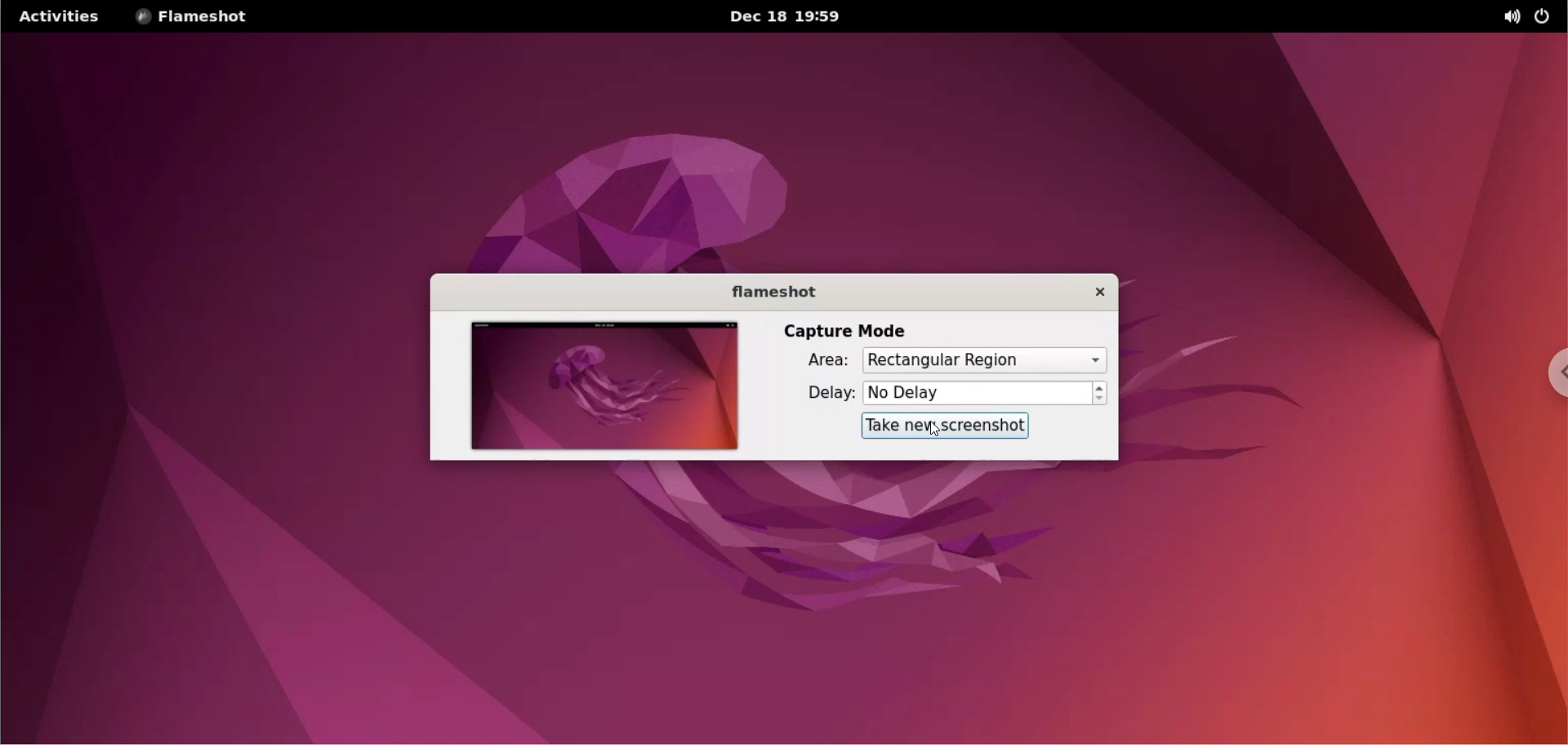 The width and height of the screenshot is (1568, 745). I want to click on flameshot label, so click(773, 292).